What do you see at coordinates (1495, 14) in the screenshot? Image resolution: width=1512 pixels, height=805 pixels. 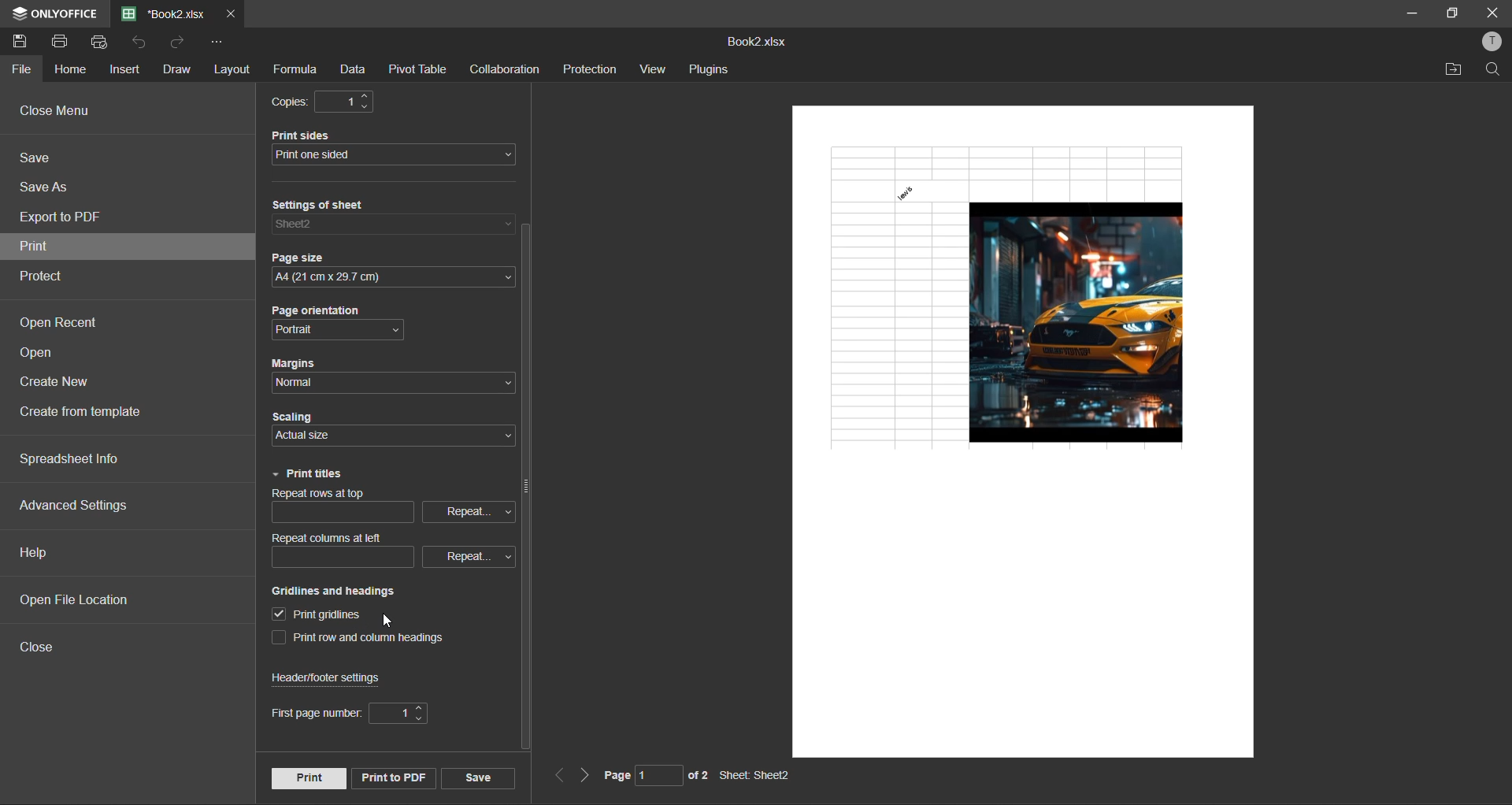 I see `close ` at bounding box center [1495, 14].